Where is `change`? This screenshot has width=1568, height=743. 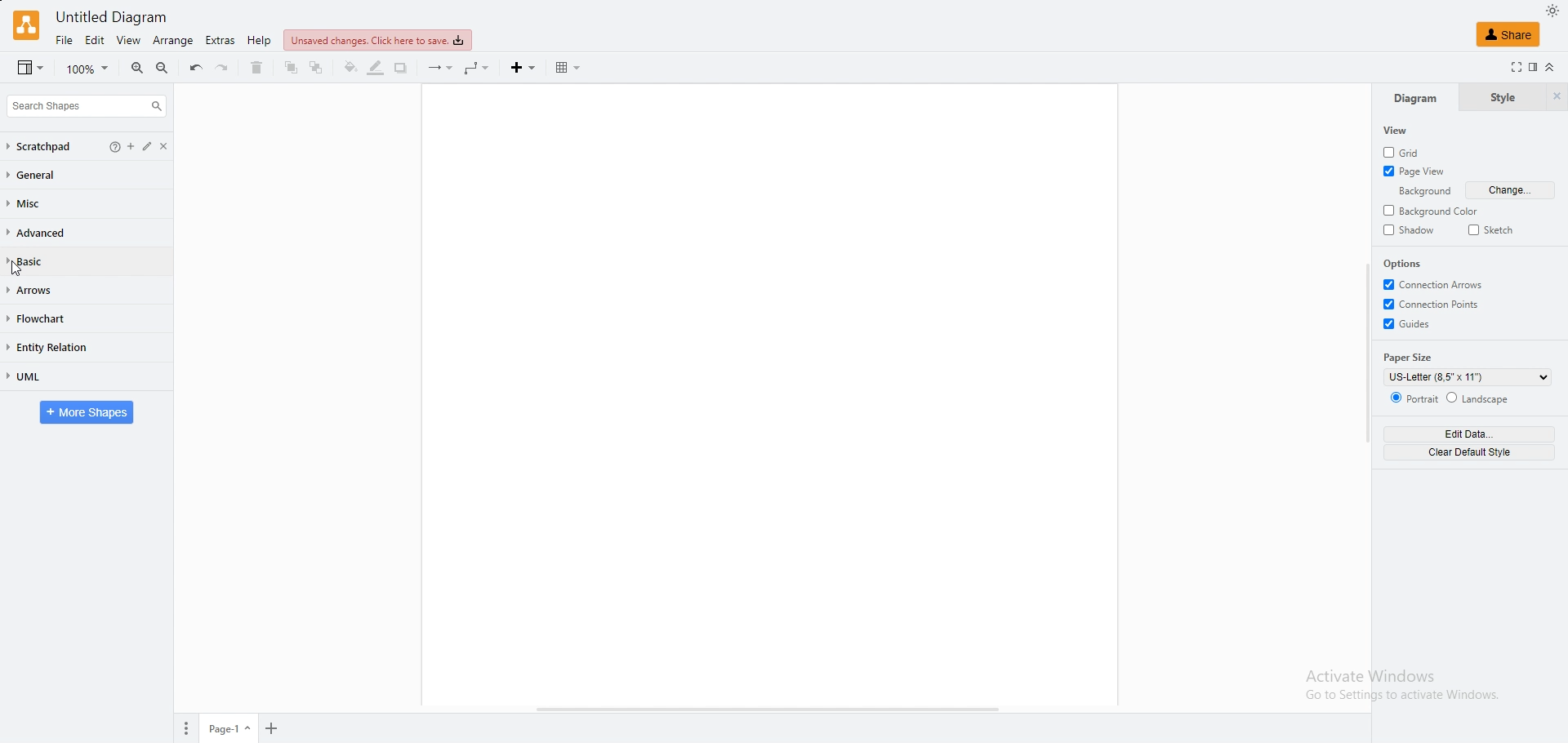 change is located at coordinates (1512, 190).